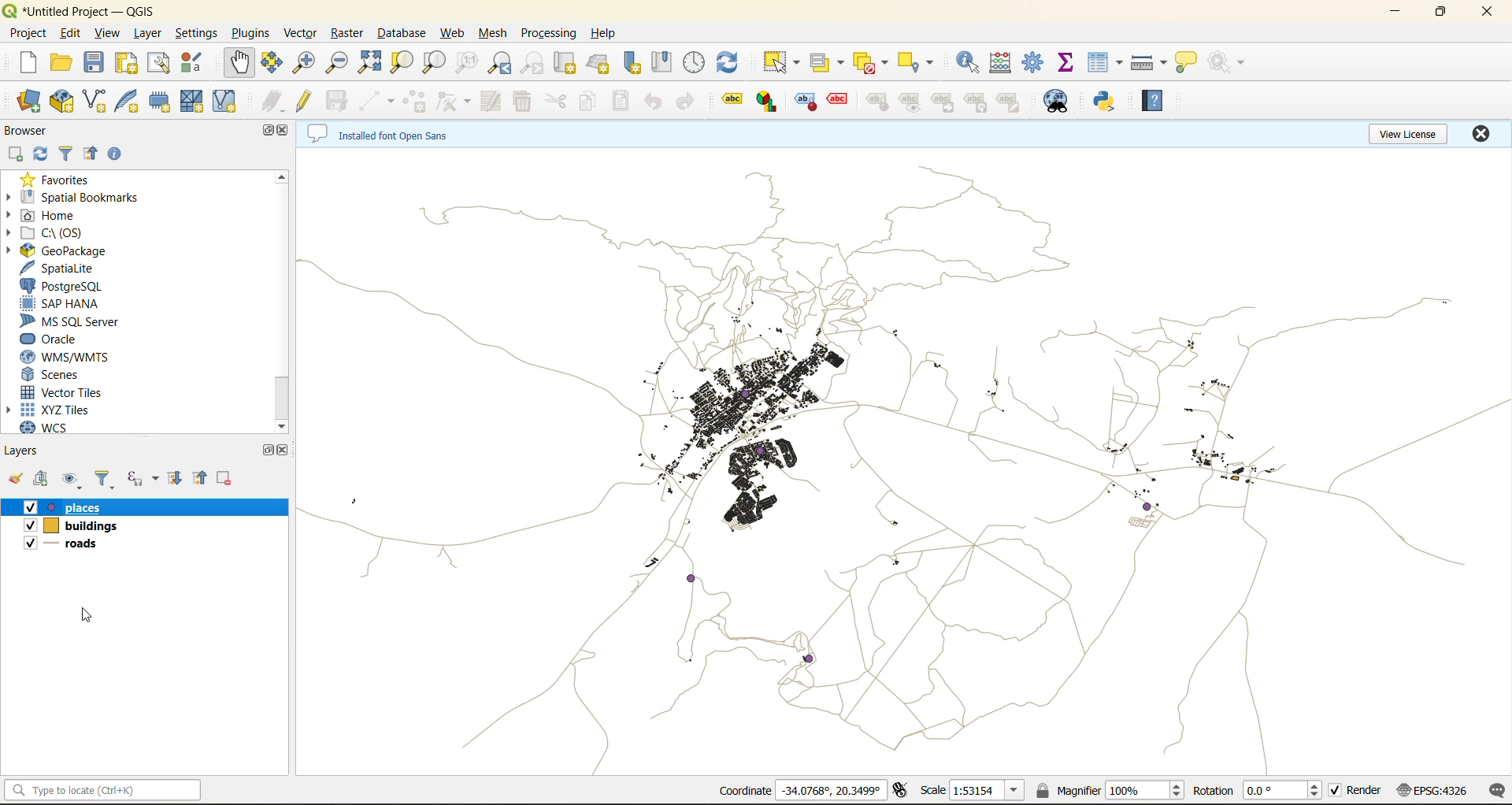  What do you see at coordinates (400, 64) in the screenshot?
I see `zoom selection` at bounding box center [400, 64].